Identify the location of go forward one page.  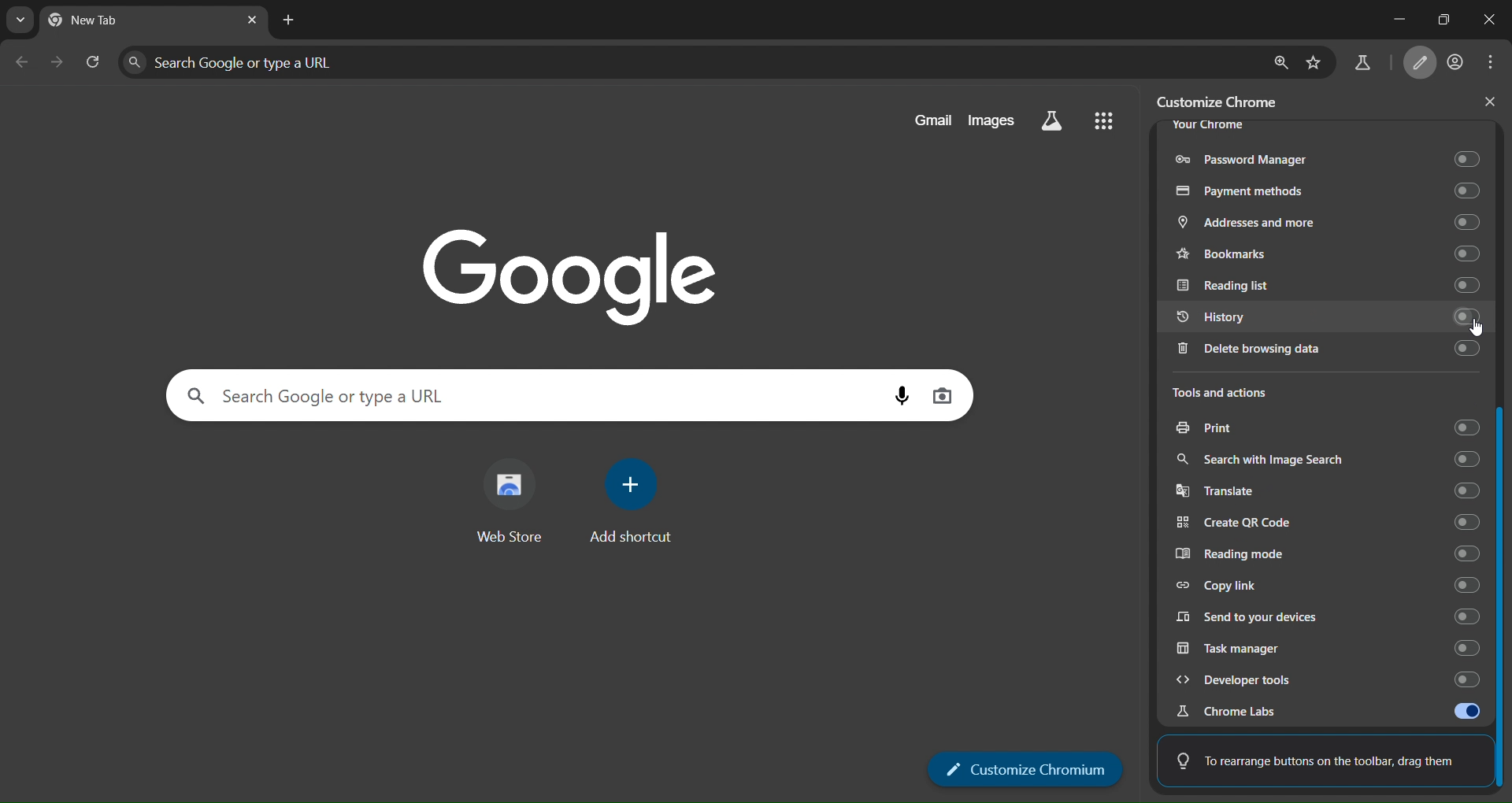
(57, 61).